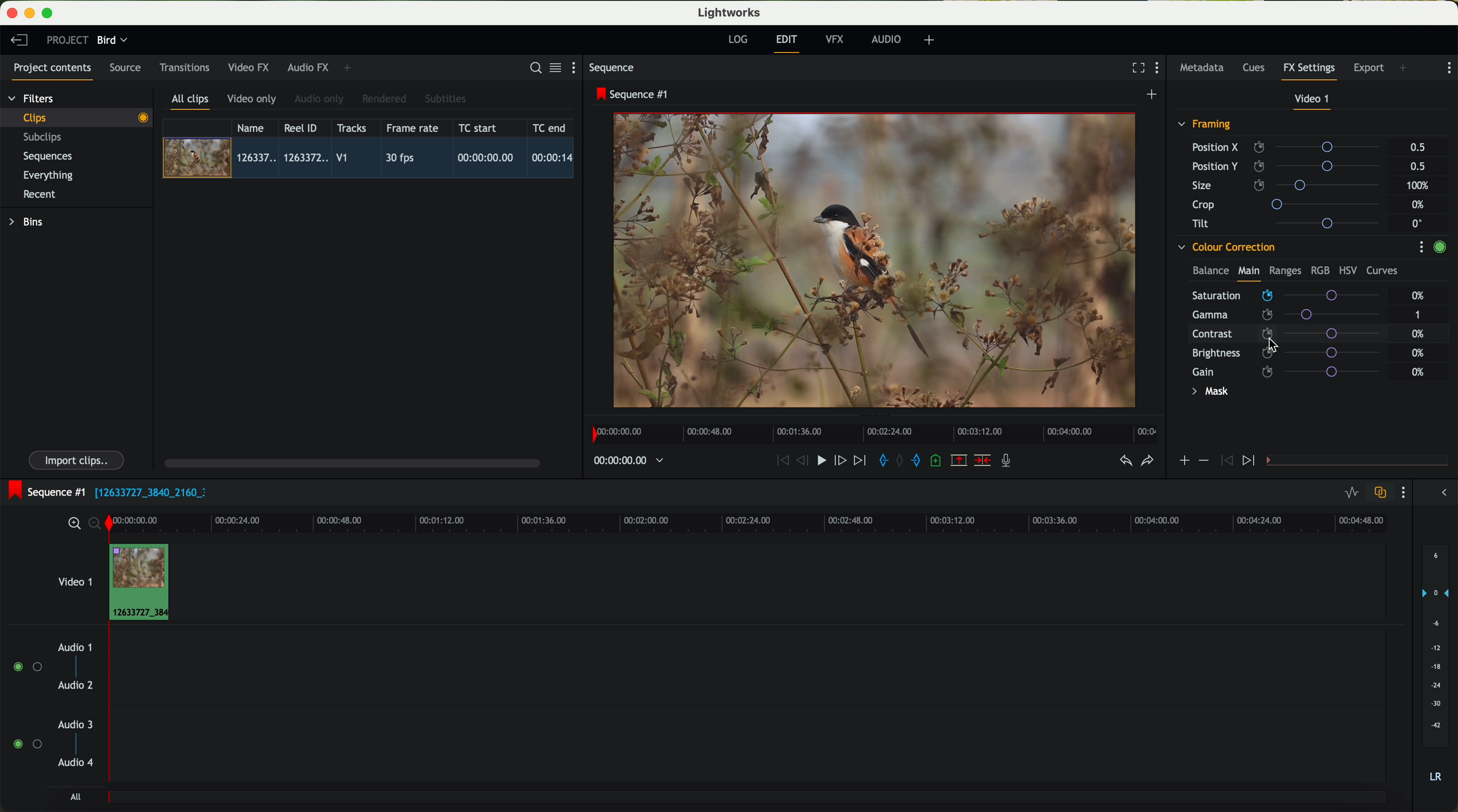  Describe the element at coordinates (1421, 247) in the screenshot. I see `show settings menu` at that location.